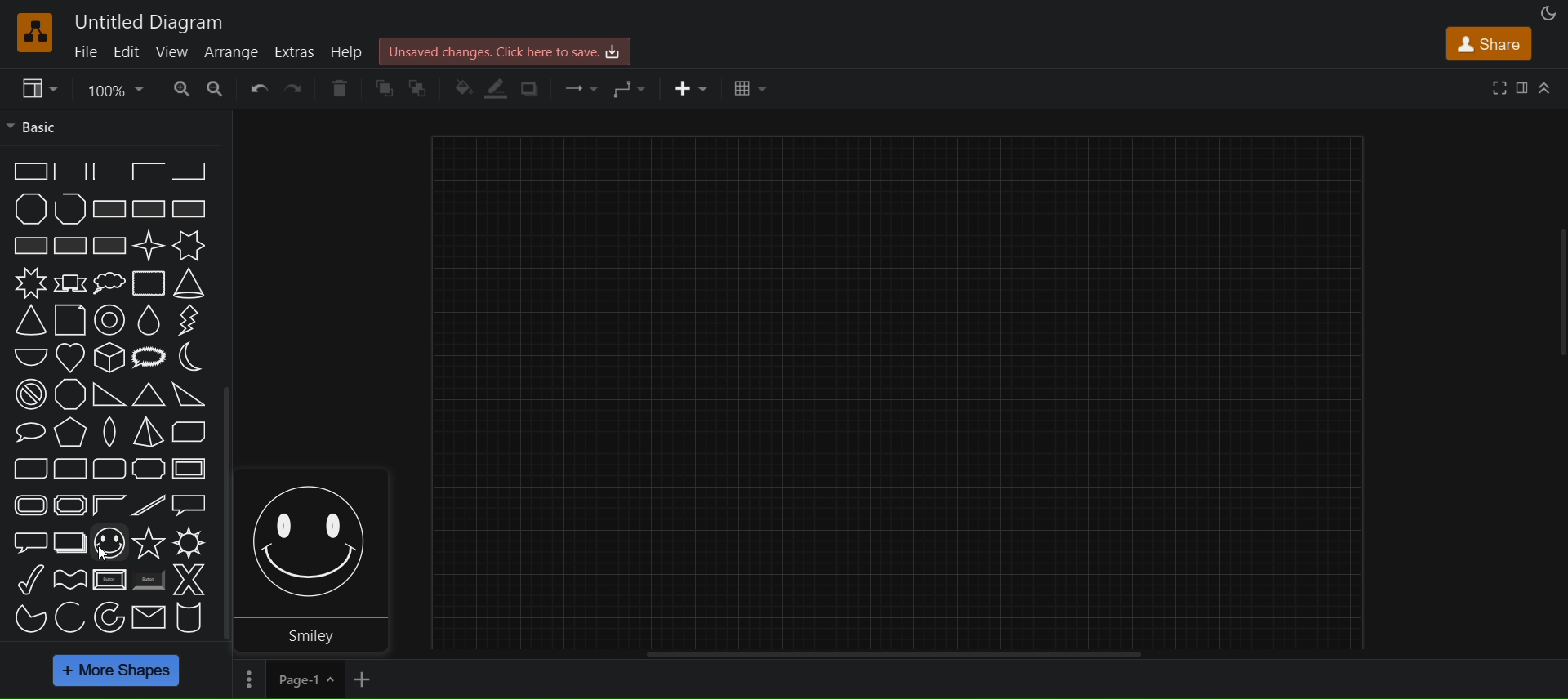 This screenshot has width=1568, height=699. What do you see at coordinates (1522, 87) in the screenshot?
I see `format` at bounding box center [1522, 87].